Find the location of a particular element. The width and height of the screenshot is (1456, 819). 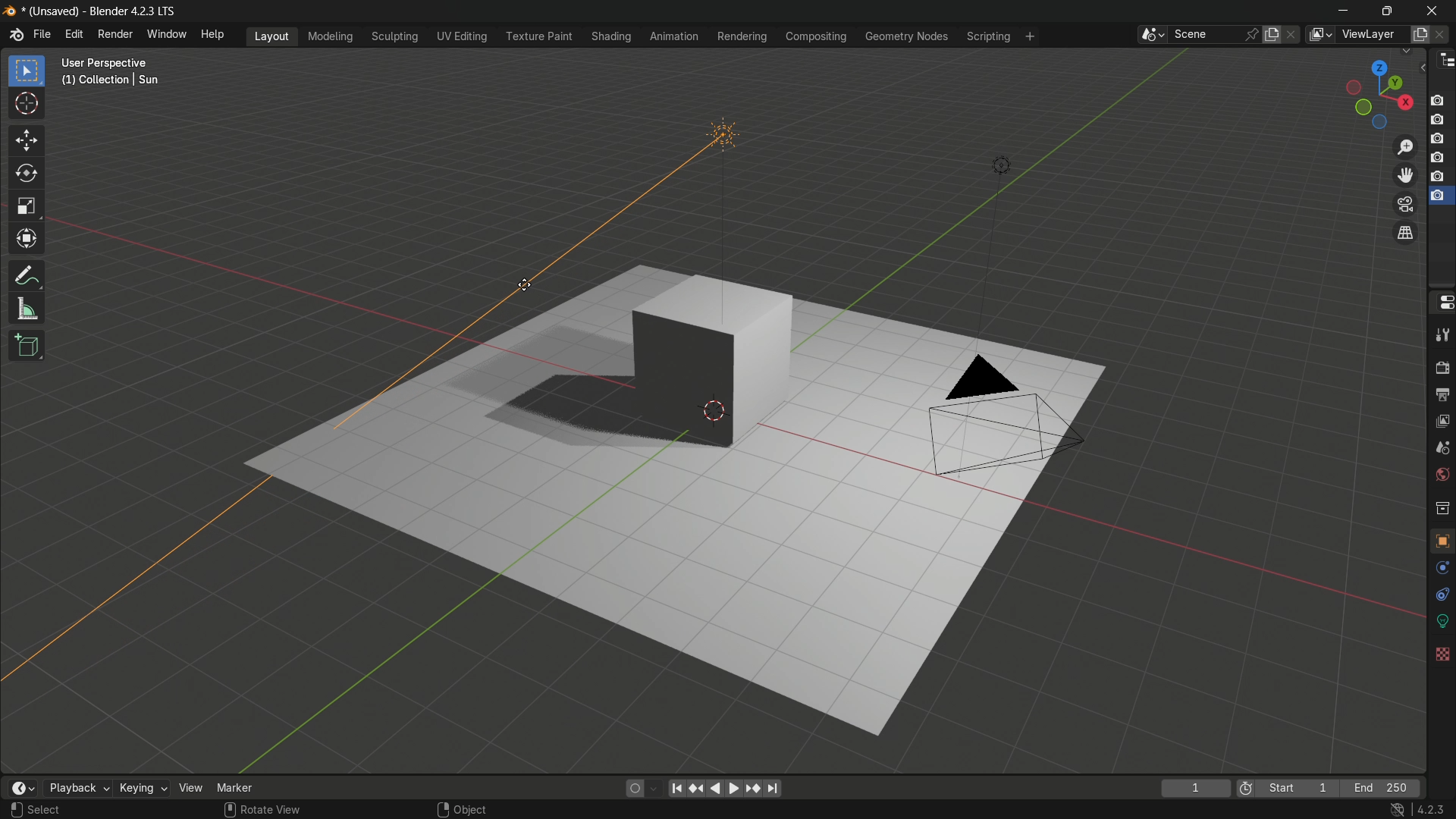

physics is located at coordinates (1442, 568).